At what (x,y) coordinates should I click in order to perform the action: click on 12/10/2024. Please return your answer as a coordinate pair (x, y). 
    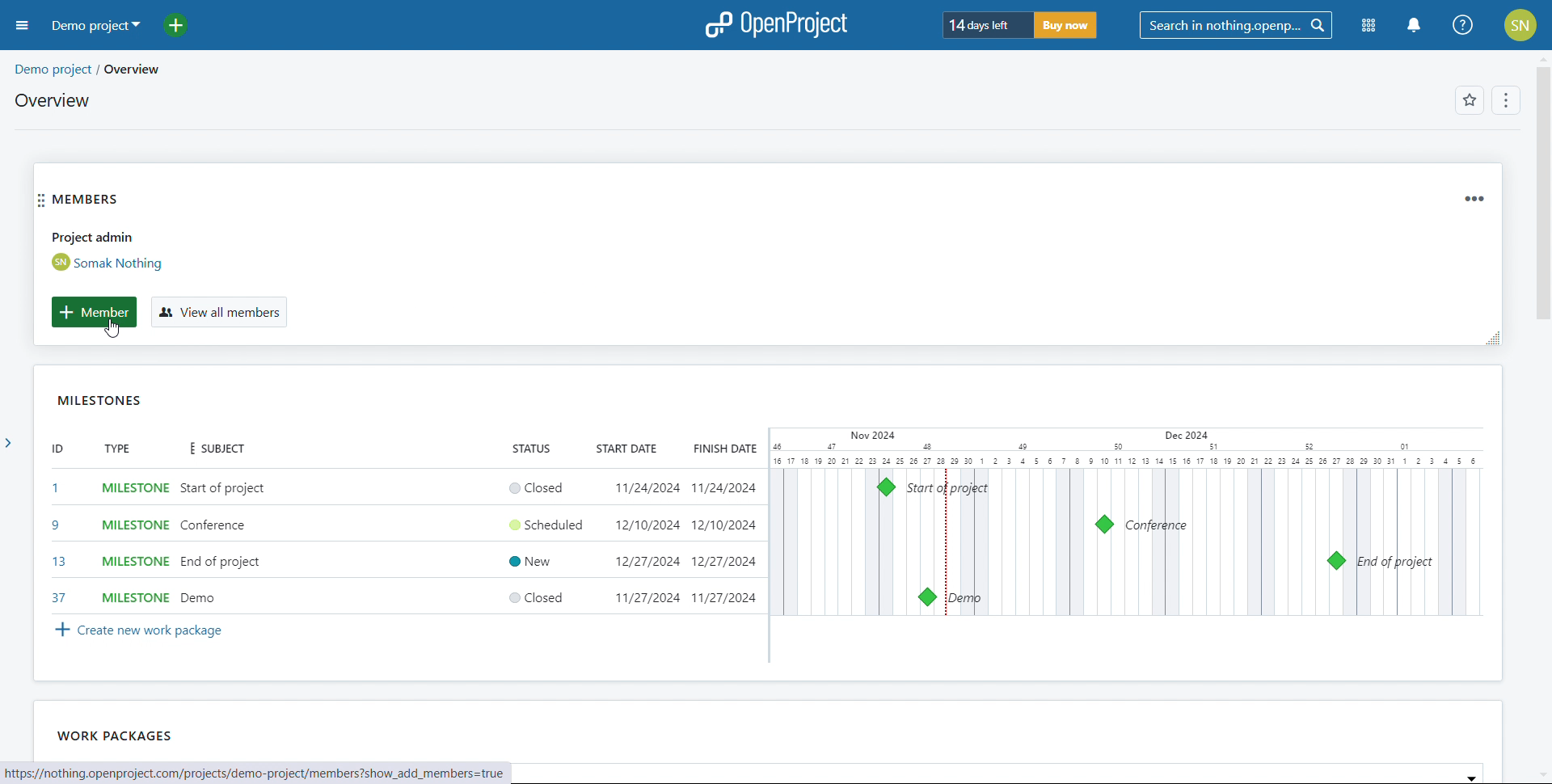
    Looking at the image, I should click on (723, 526).